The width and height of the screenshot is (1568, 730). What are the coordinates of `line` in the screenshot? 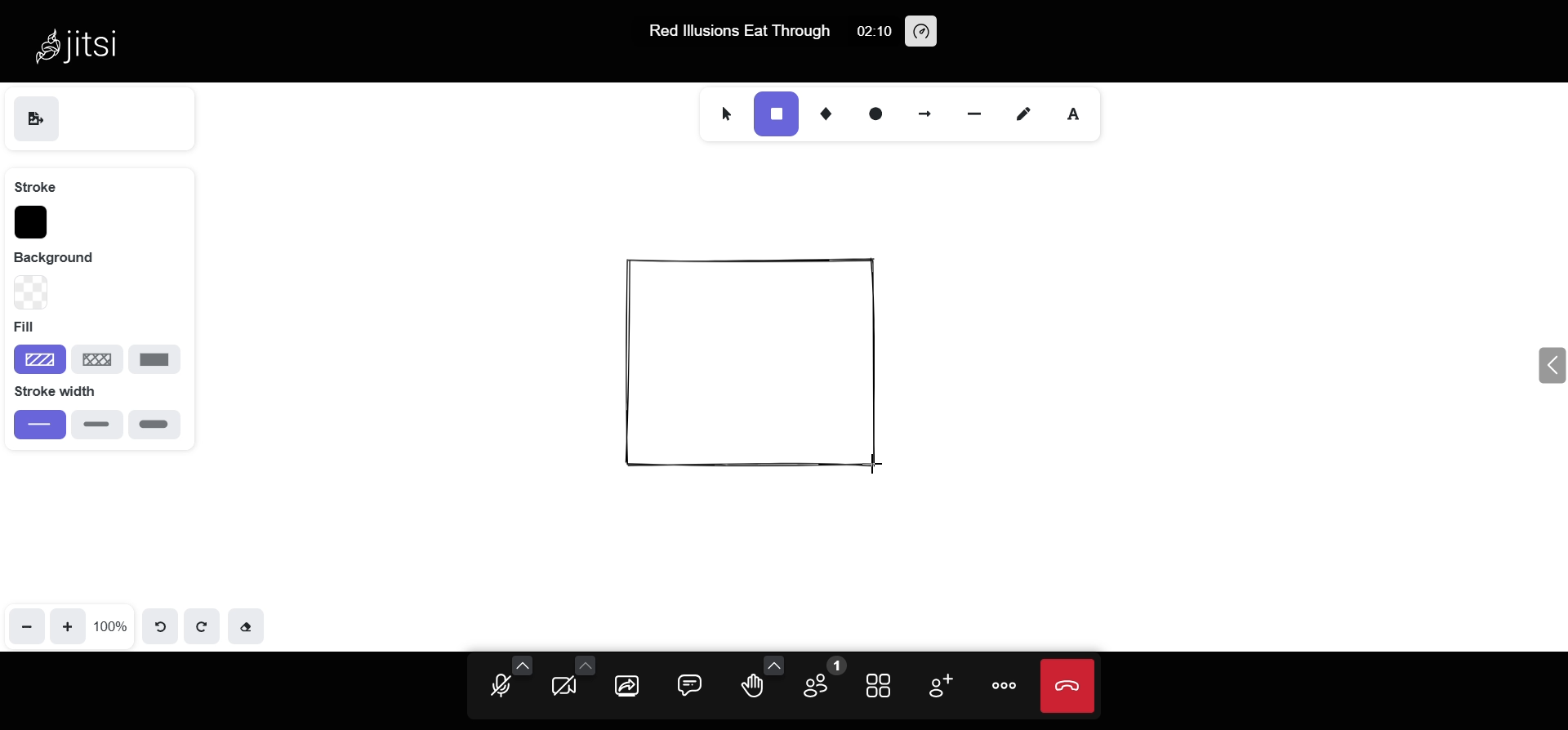 It's located at (974, 110).